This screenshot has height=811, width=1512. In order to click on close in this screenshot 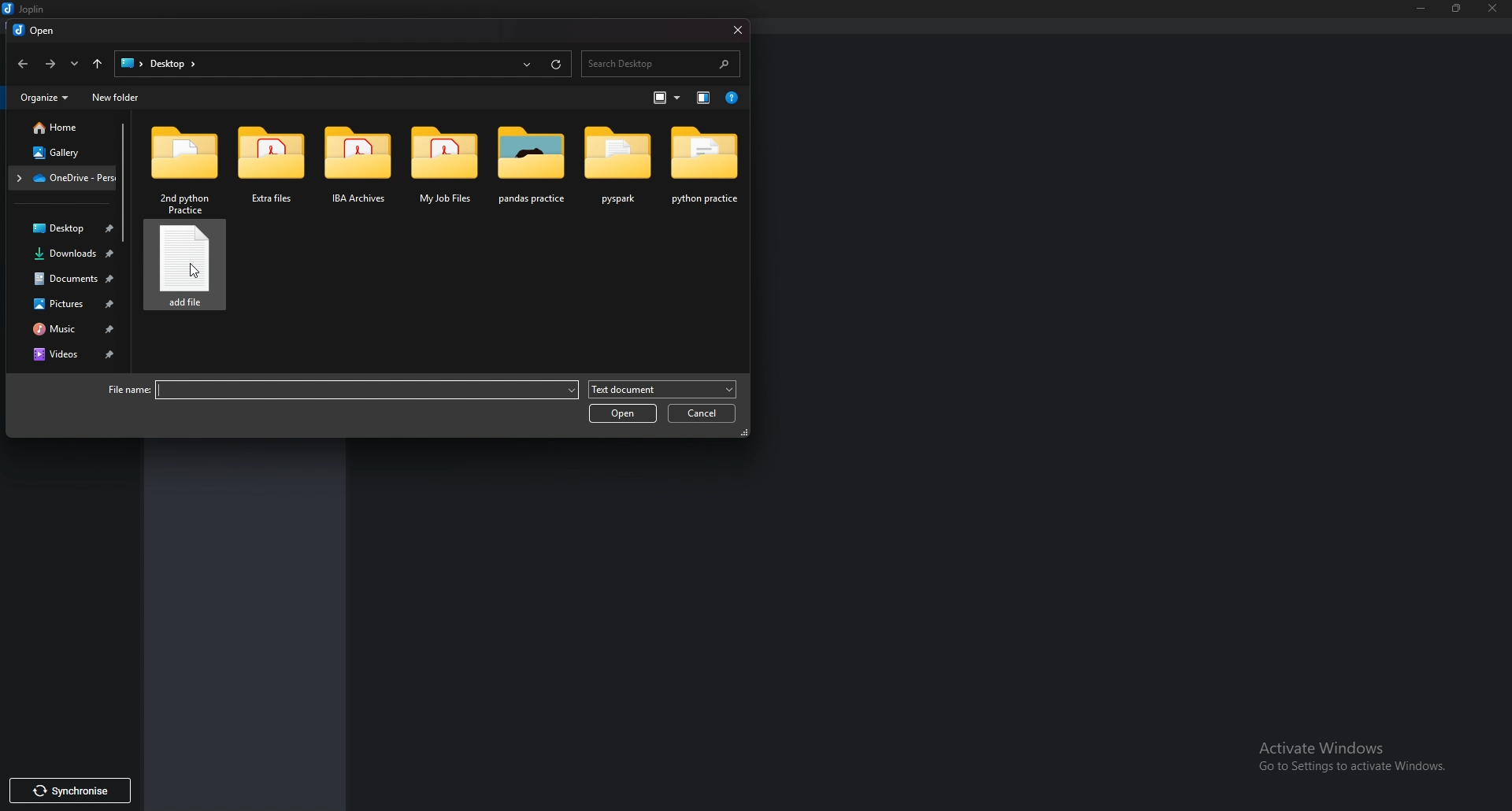, I will do `click(1492, 10)`.